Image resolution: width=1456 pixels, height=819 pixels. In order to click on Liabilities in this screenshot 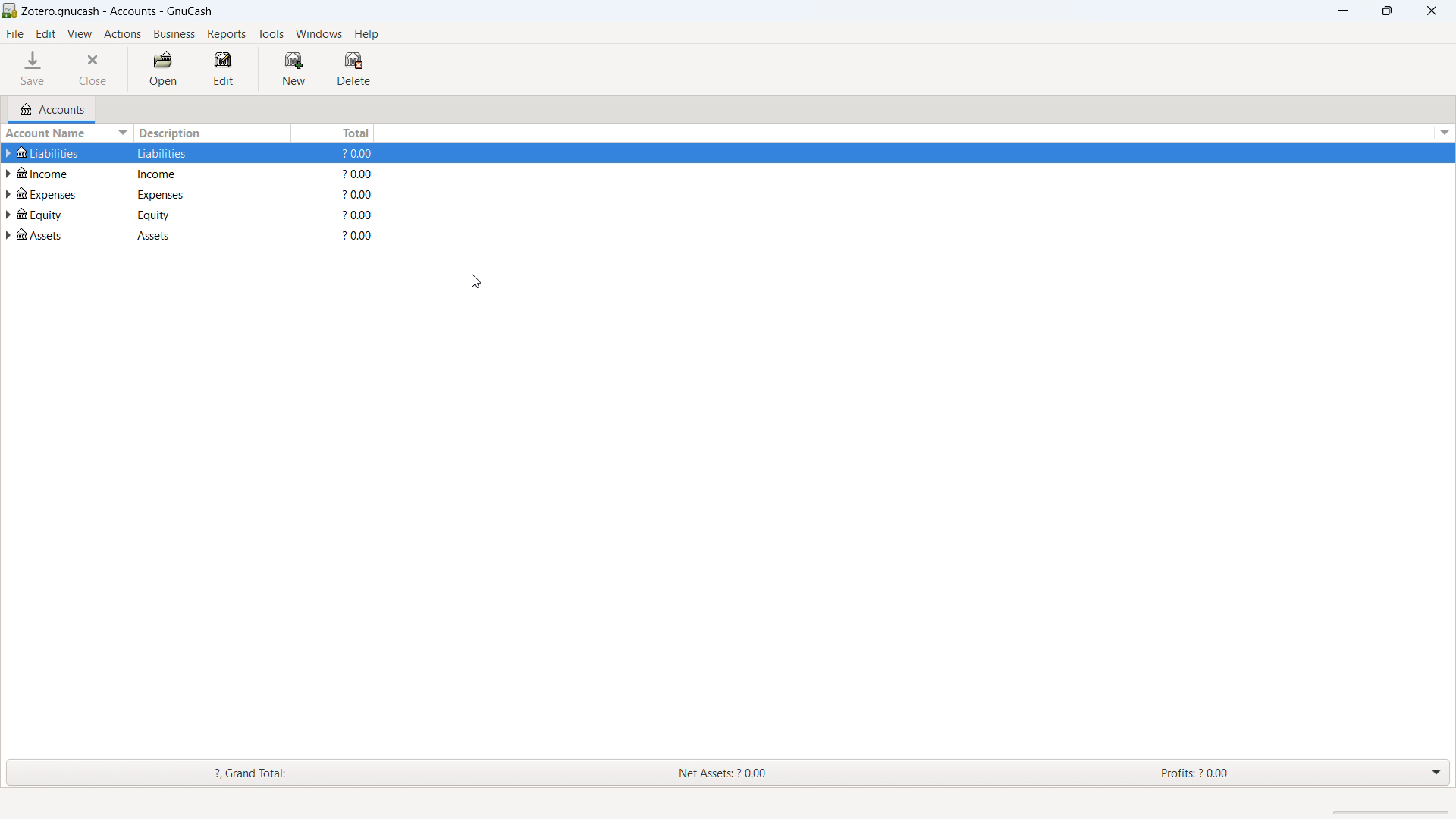, I will do `click(171, 153)`.